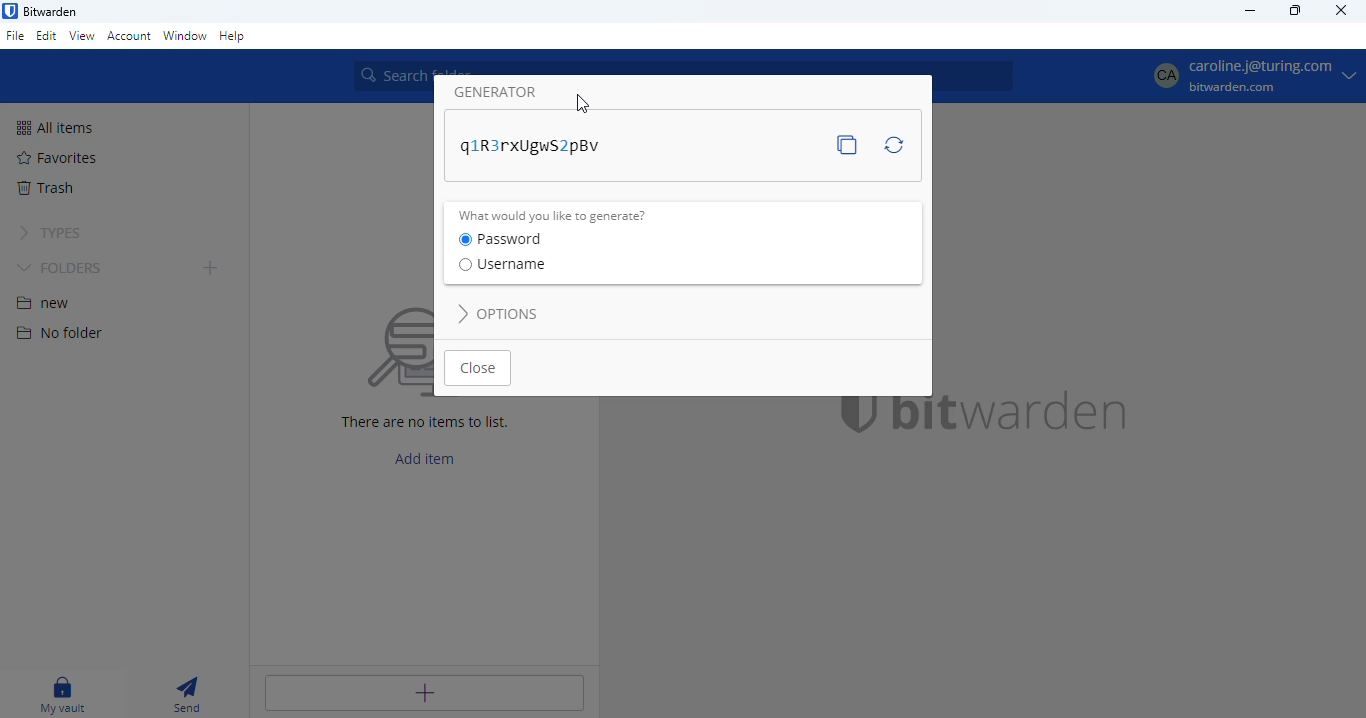 Image resolution: width=1366 pixels, height=718 pixels. I want to click on close, so click(1342, 9).